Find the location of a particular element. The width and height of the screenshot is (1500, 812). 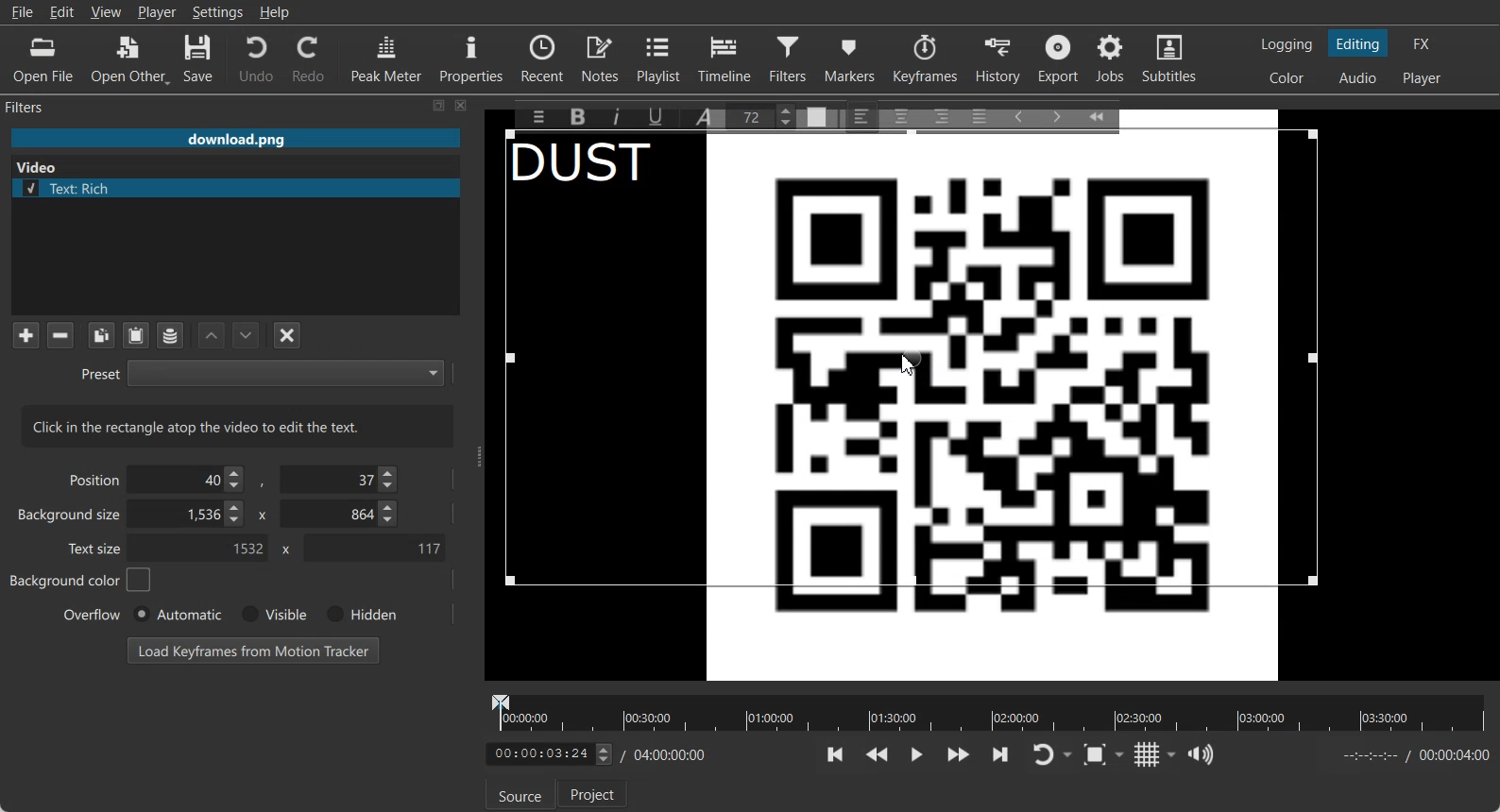

Toggle player lopping is located at coordinates (1040, 755).